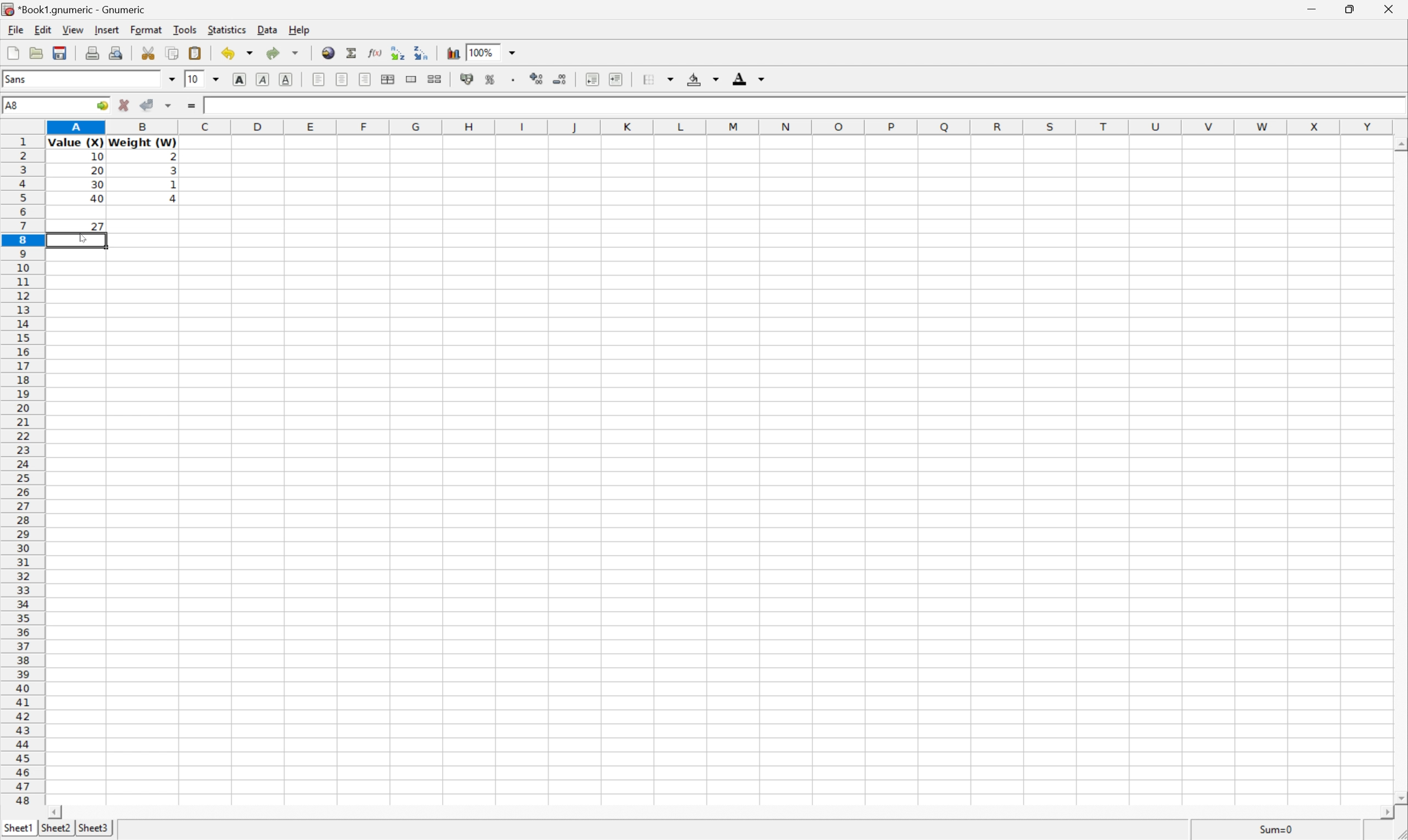 The image size is (1408, 840). Describe the element at coordinates (55, 812) in the screenshot. I see `Scroll Left` at that location.